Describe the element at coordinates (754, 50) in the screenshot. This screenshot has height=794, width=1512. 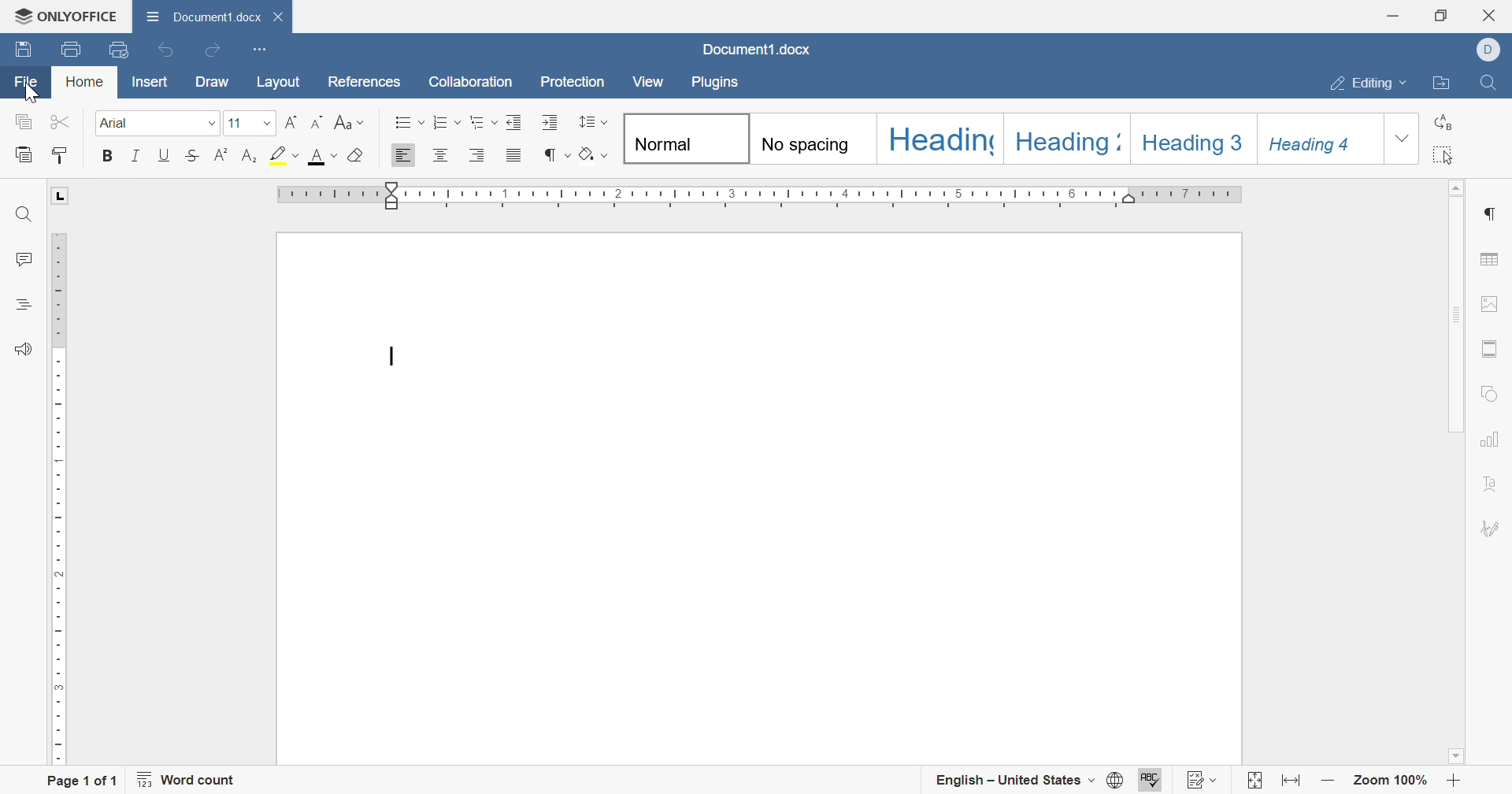
I see `Document1.docx` at that location.